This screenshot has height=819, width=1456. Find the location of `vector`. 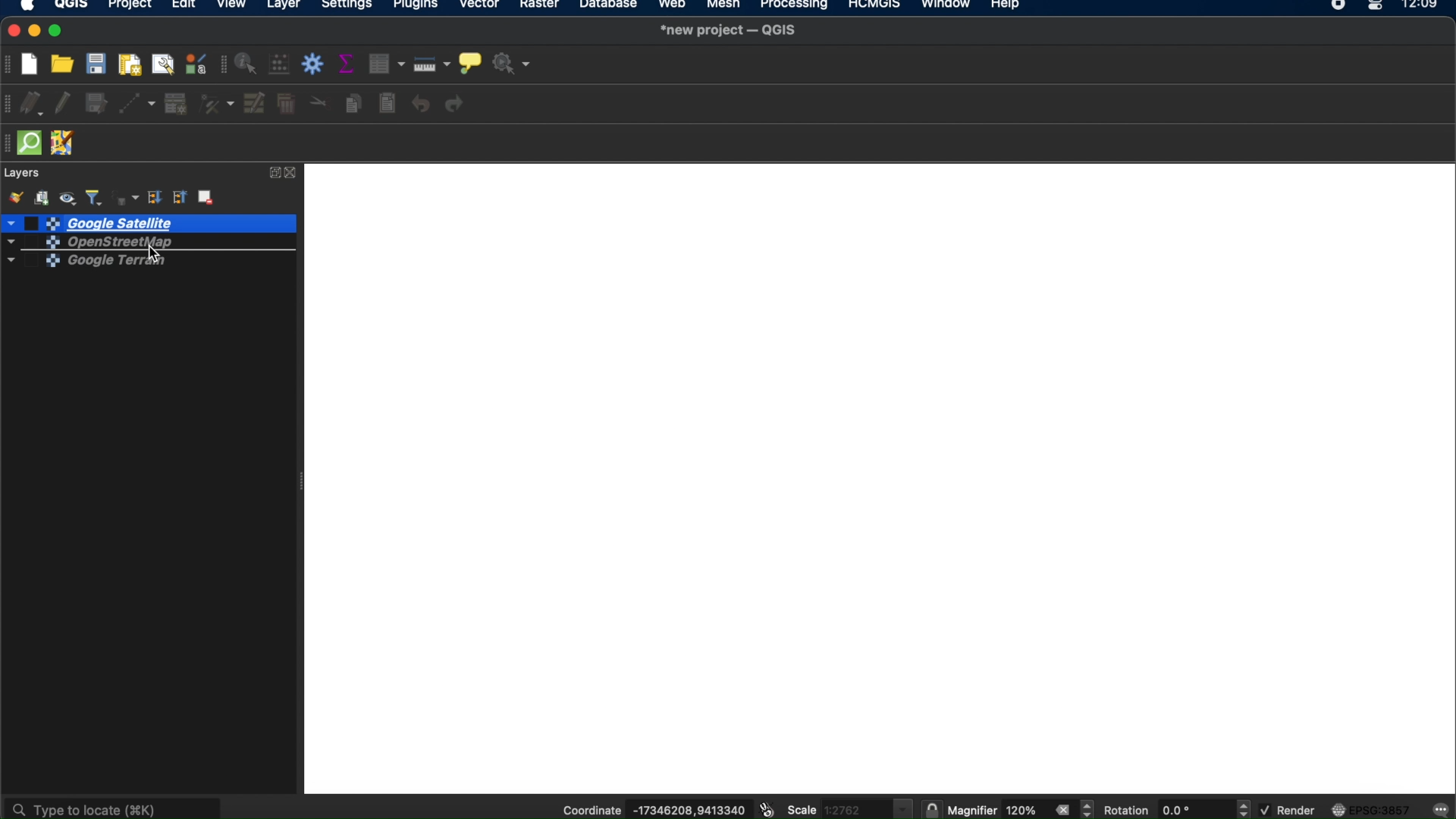

vector is located at coordinates (481, 7).